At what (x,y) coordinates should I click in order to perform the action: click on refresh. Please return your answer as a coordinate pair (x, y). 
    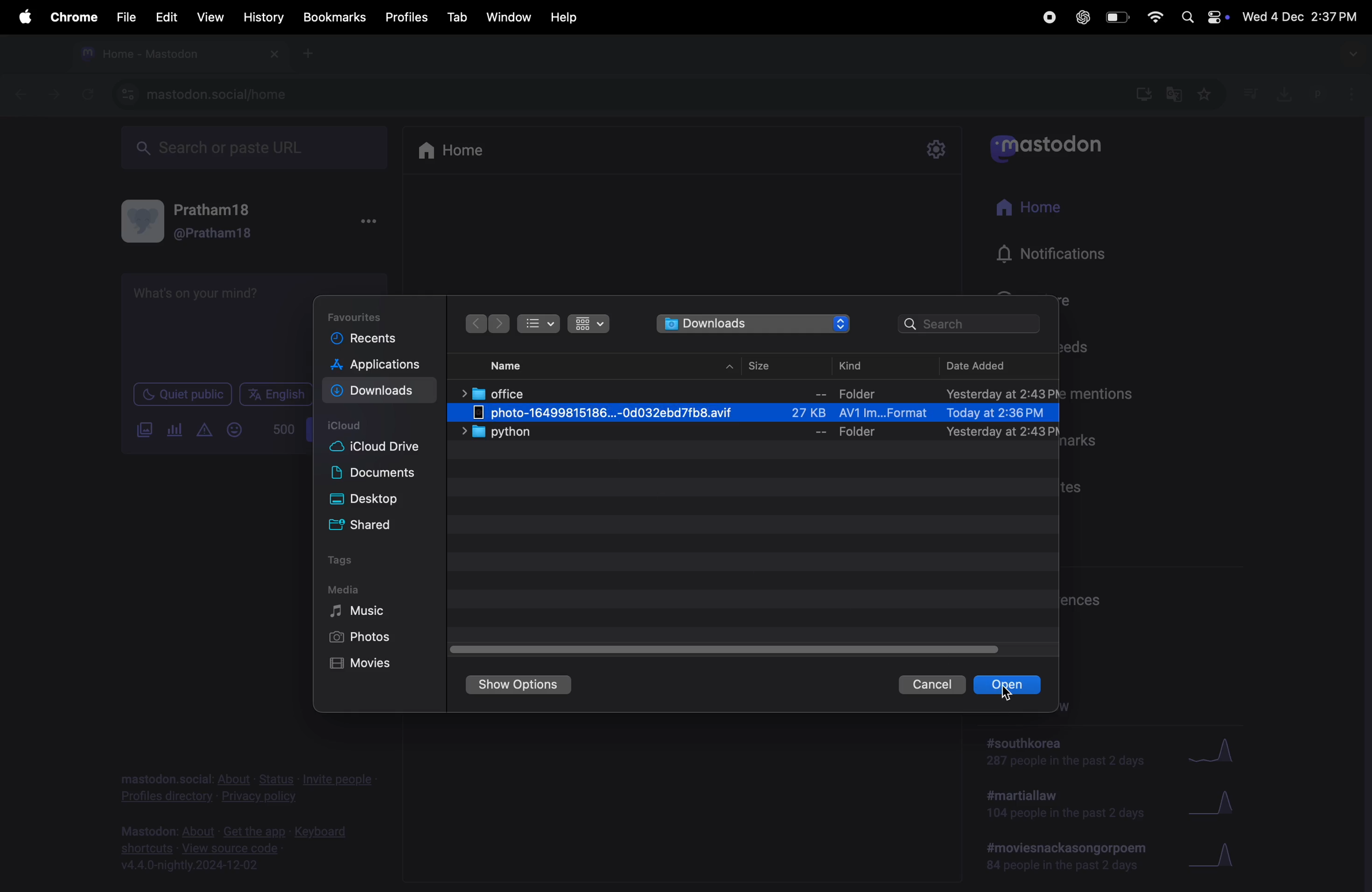
    Looking at the image, I should click on (85, 94).